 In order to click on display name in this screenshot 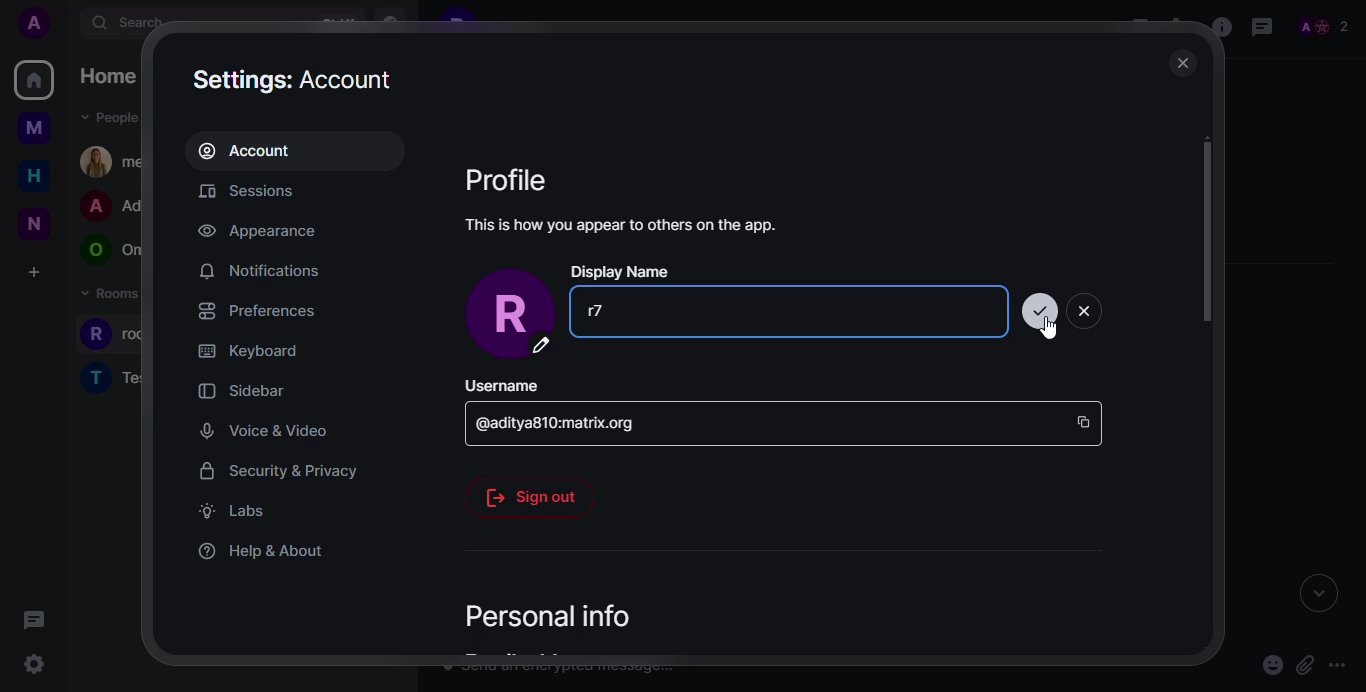, I will do `click(622, 271)`.